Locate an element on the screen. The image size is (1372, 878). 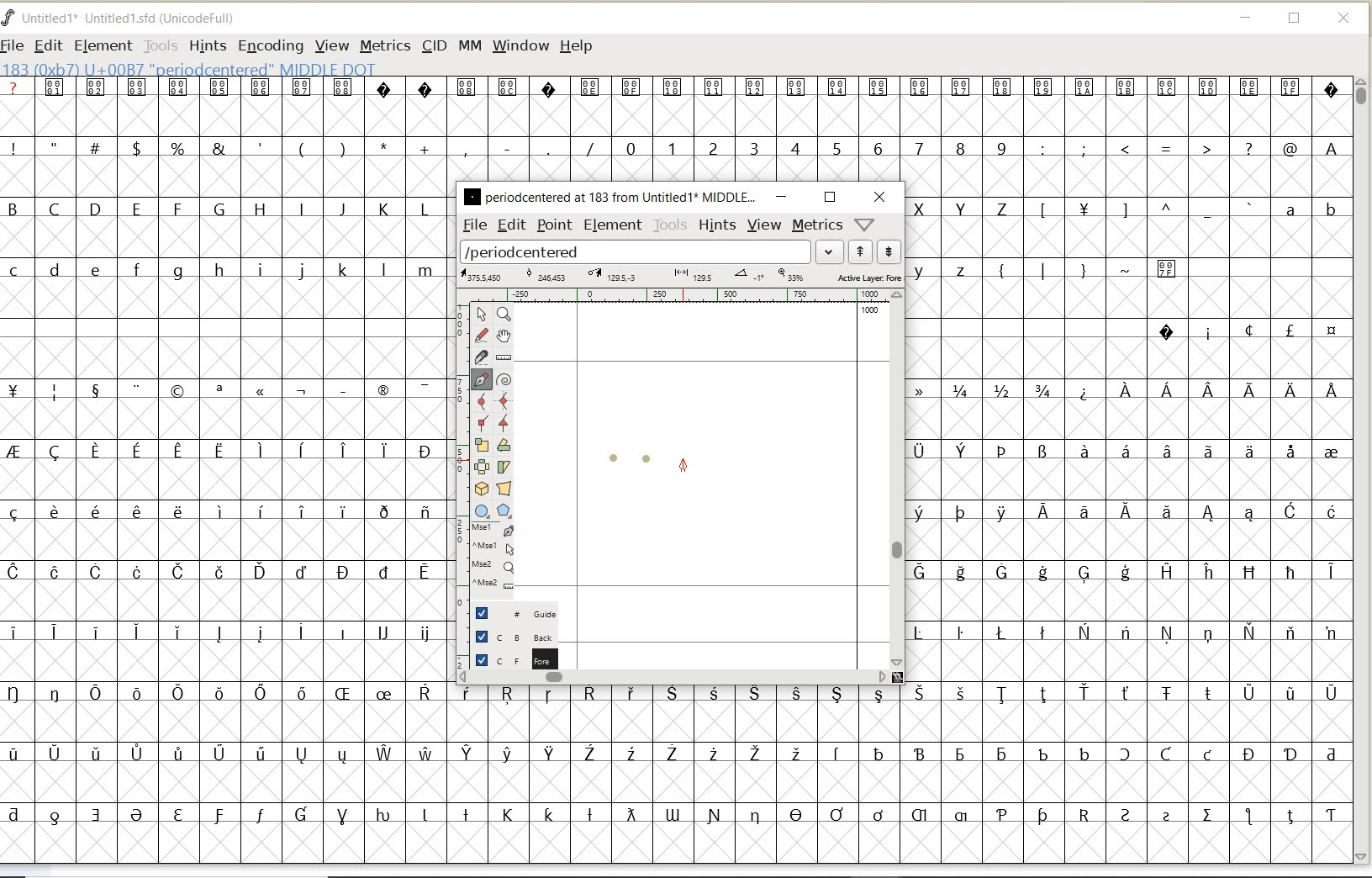
HINTS is located at coordinates (206, 45).